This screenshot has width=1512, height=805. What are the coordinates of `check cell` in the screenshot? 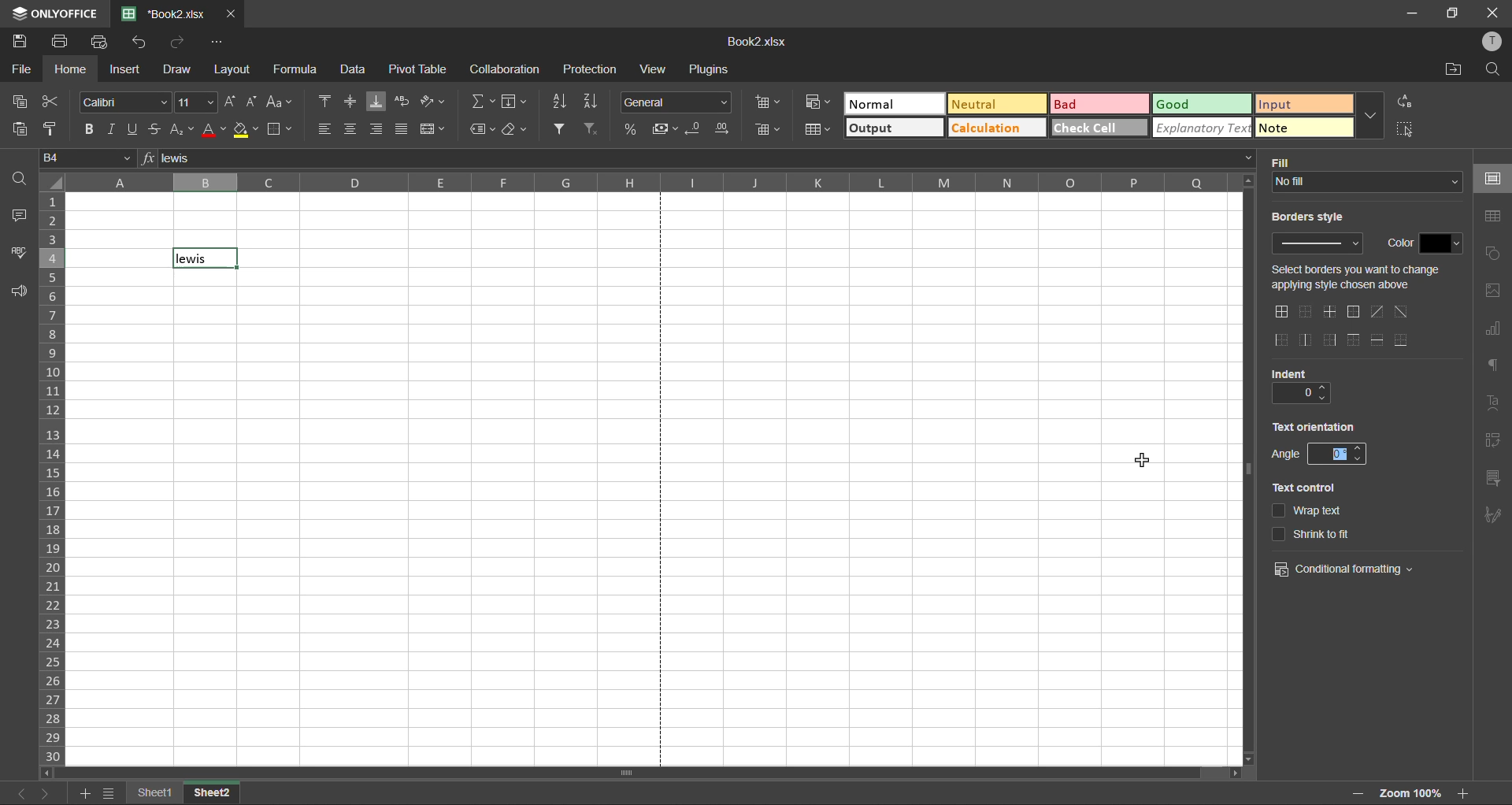 It's located at (1097, 130).